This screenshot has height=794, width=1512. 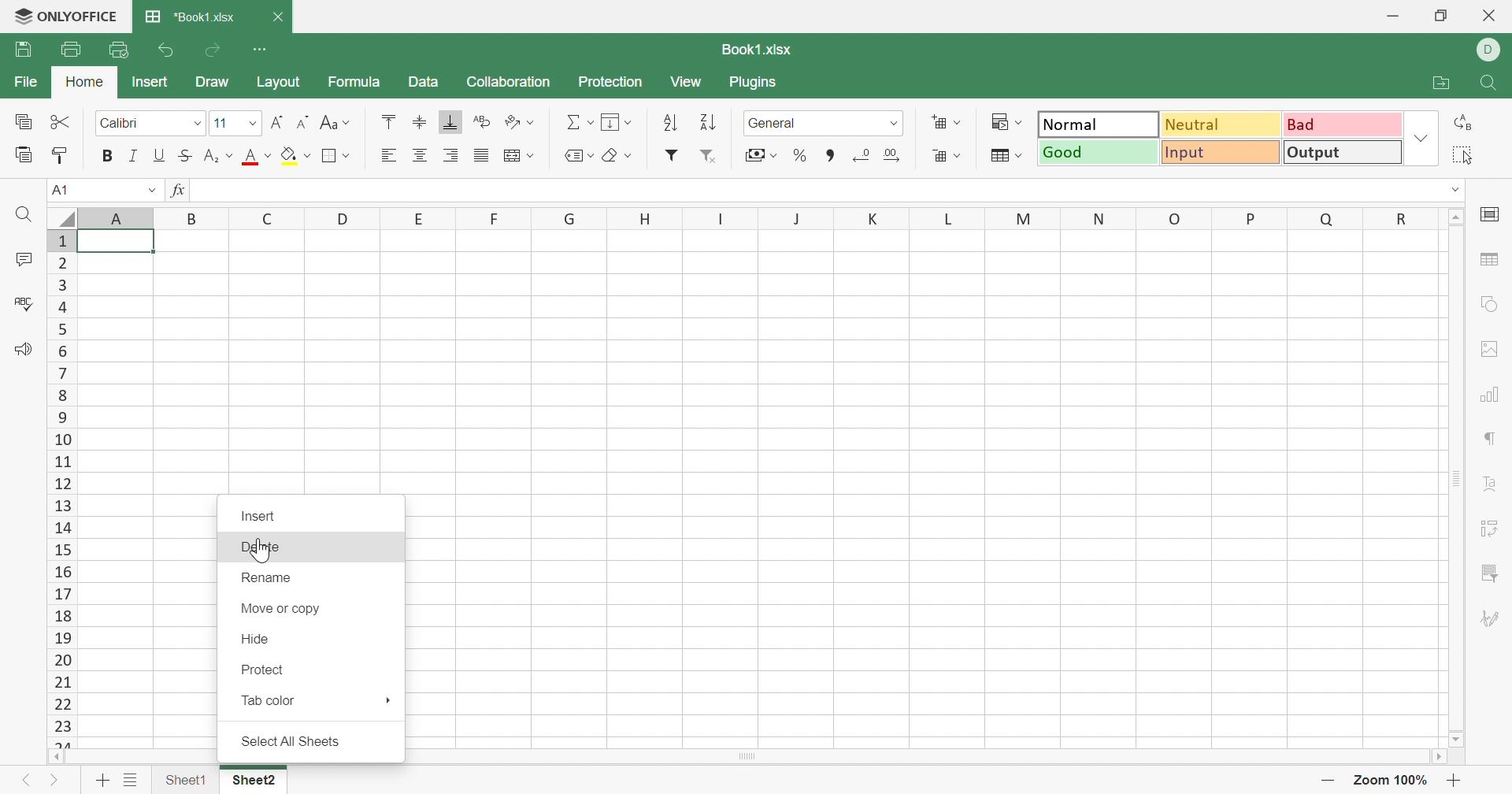 I want to click on next, so click(x=55, y=778).